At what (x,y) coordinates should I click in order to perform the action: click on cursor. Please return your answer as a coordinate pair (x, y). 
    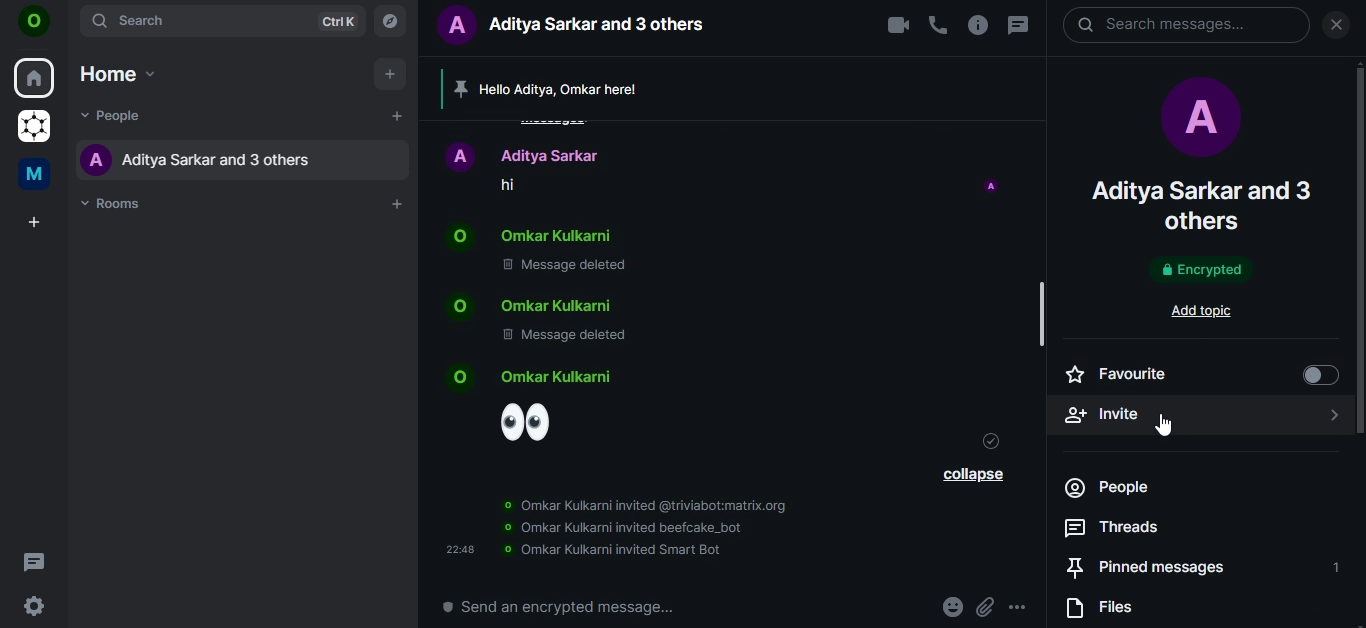
    Looking at the image, I should click on (1164, 425).